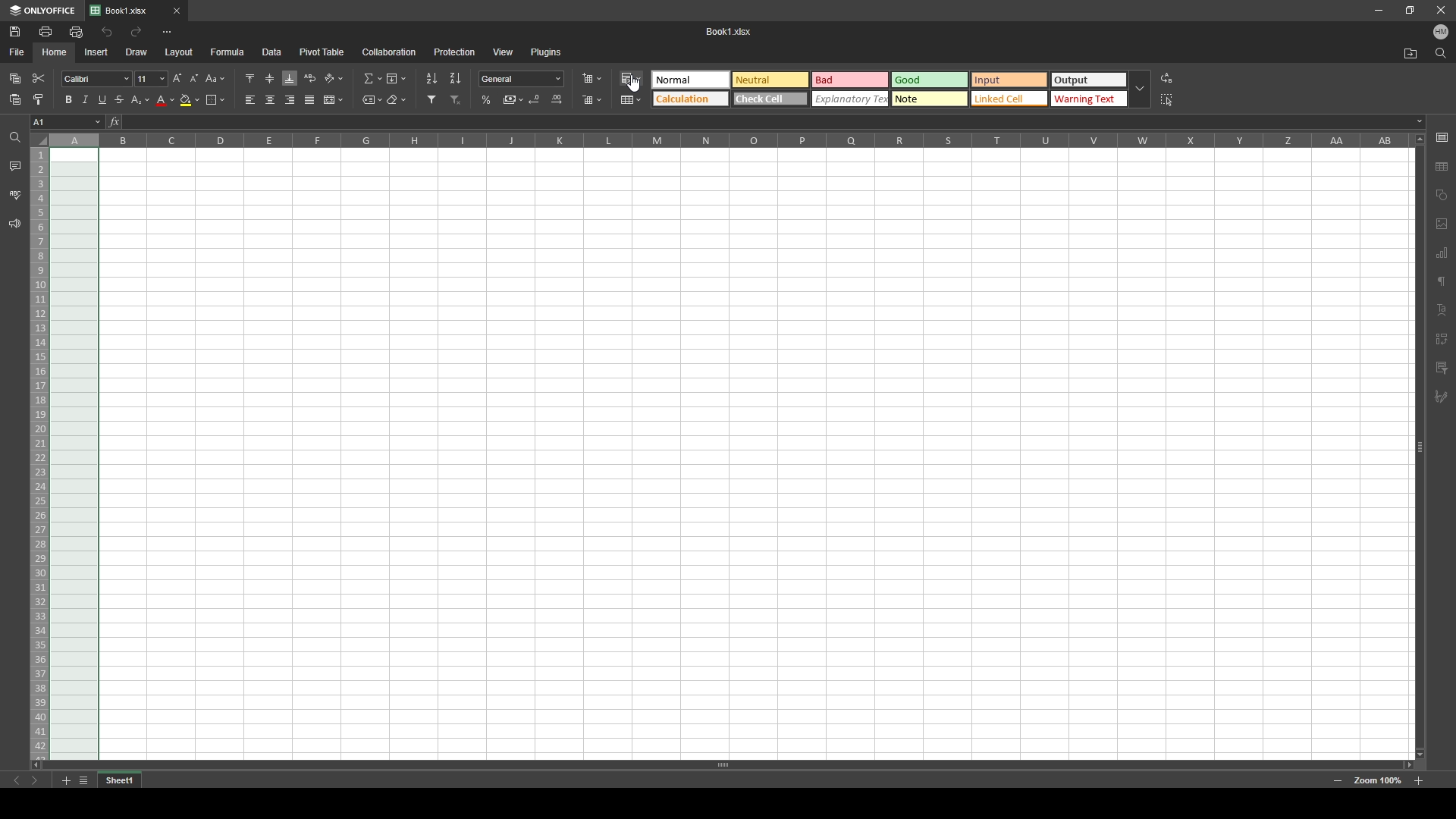 The width and height of the screenshot is (1456, 819). I want to click on sort ascending, so click(431, 78).